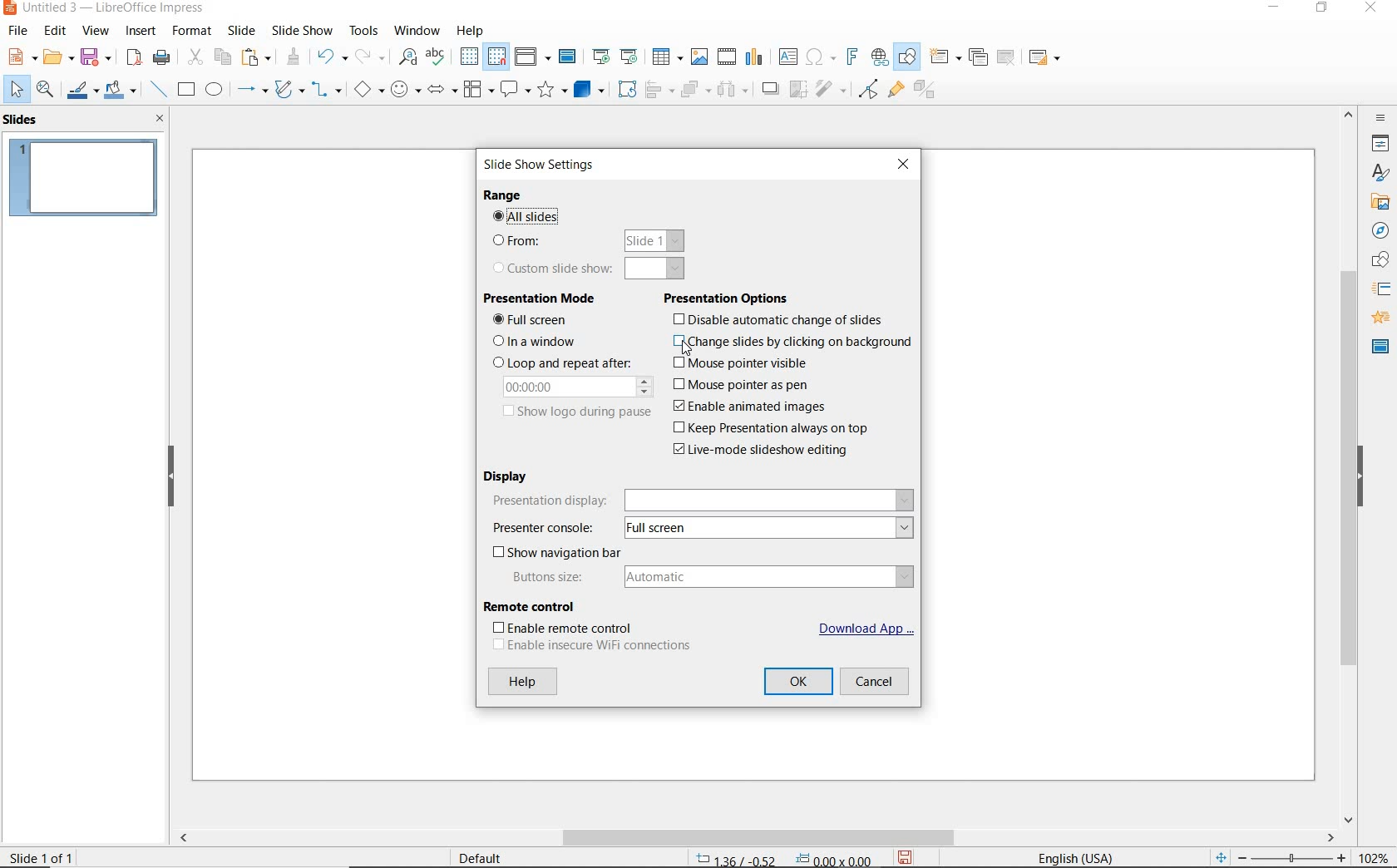 The height and width of the screenshot is (868, 1397). I want to click on keep presentation always on top, so click(772, 430).